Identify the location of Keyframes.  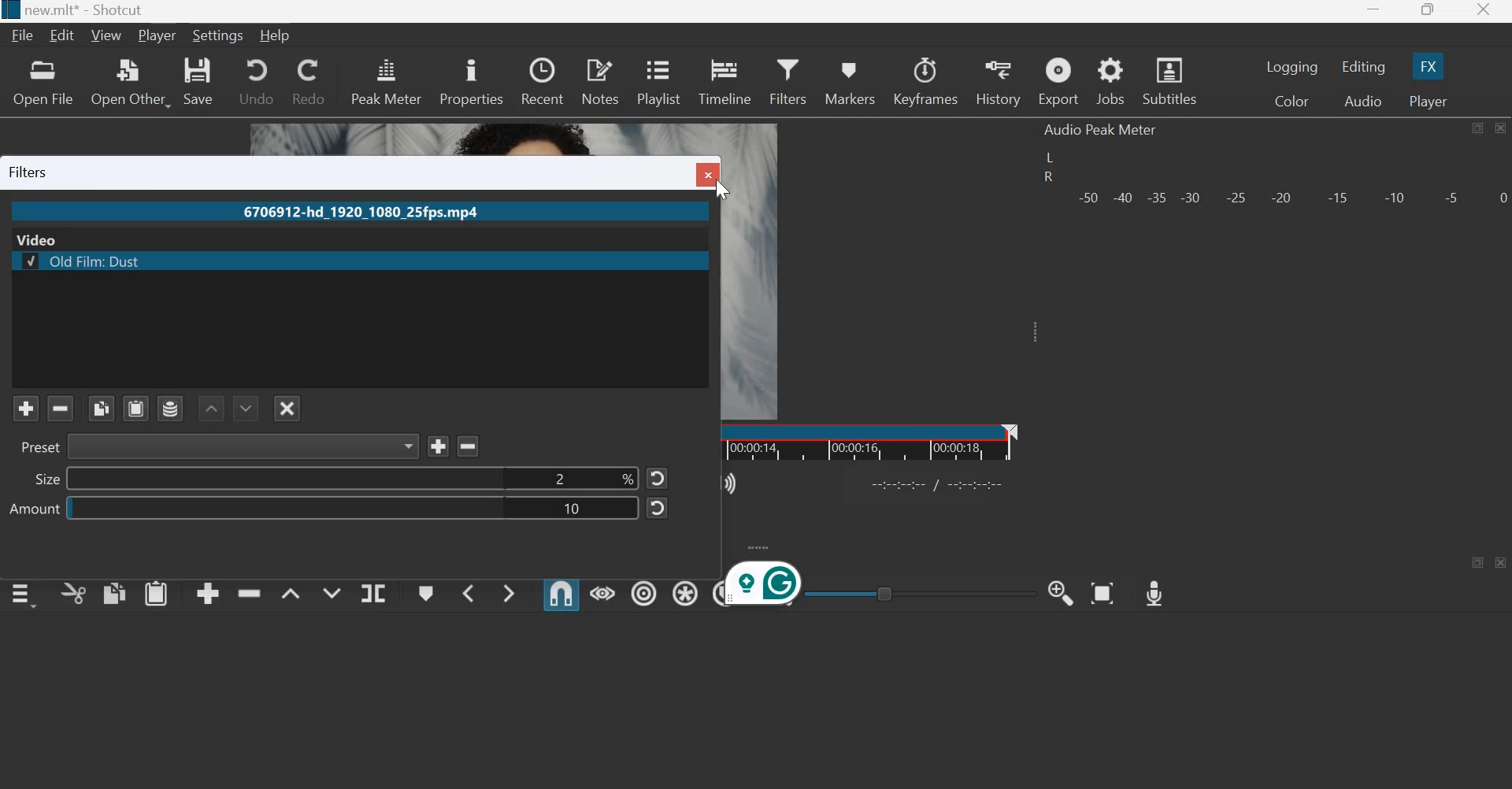
(926, 81).